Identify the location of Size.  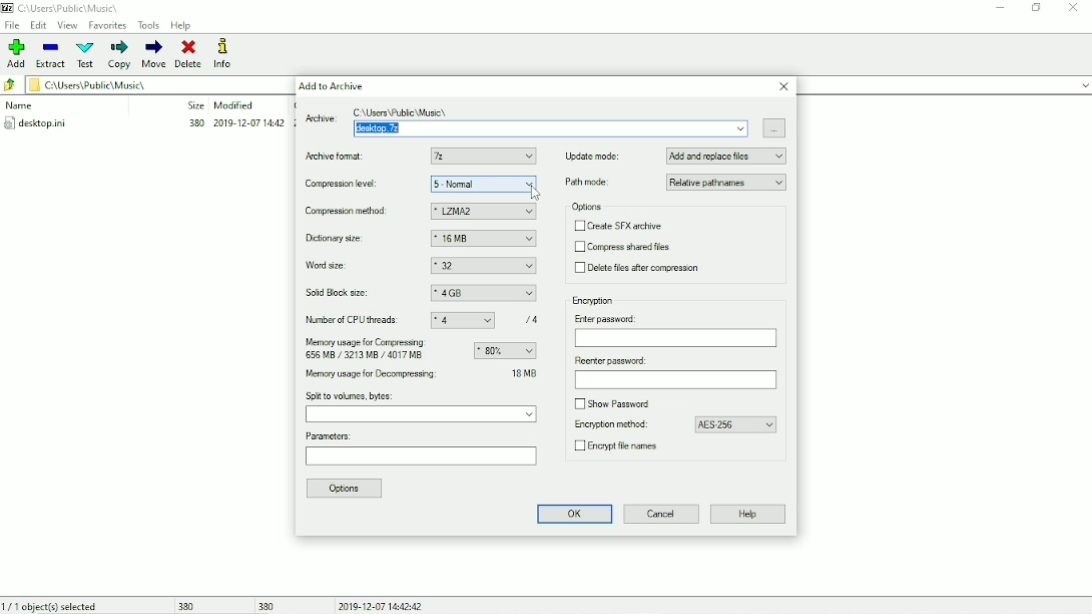
(195, 105).